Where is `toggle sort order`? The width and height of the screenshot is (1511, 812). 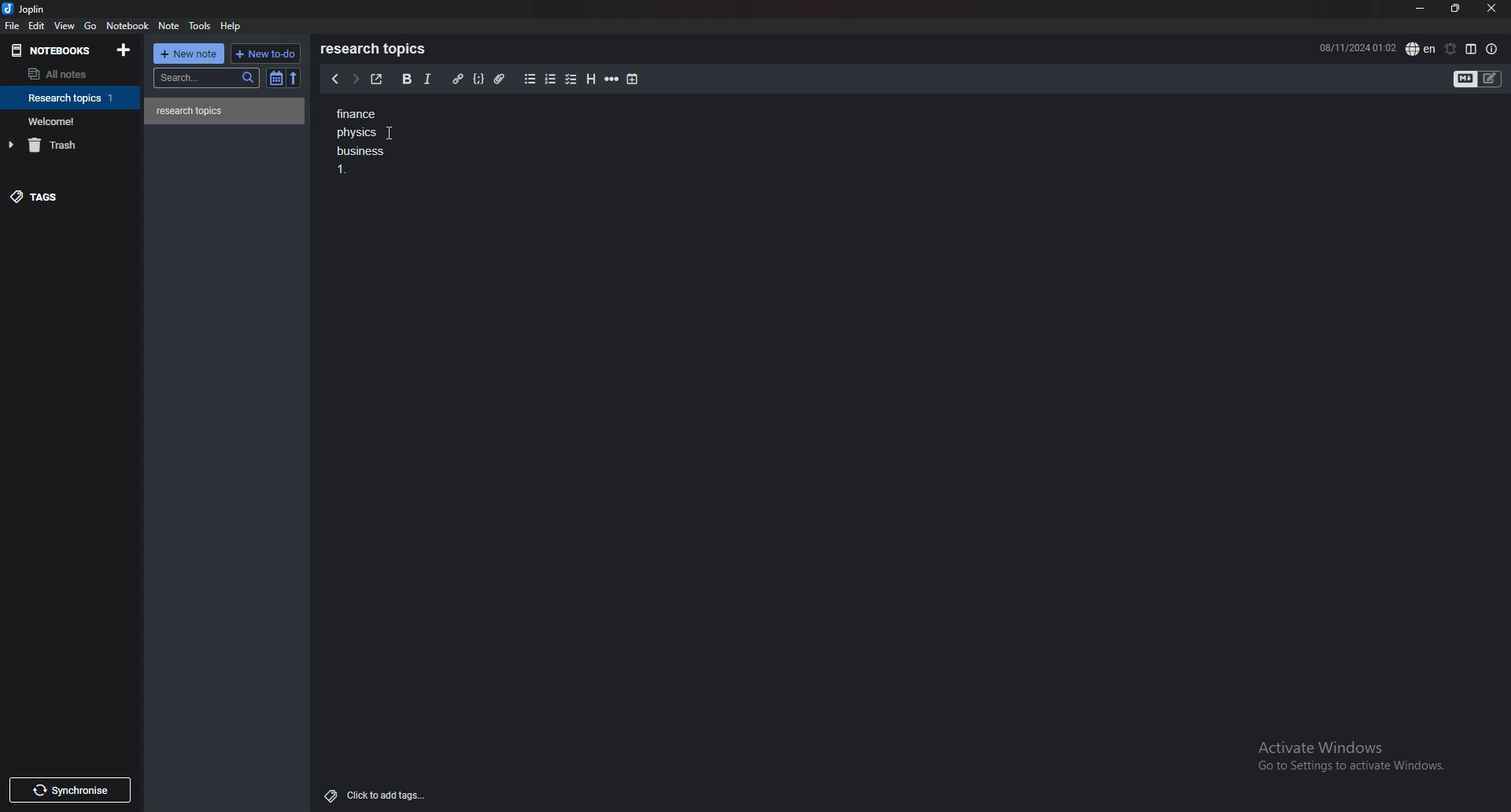
toggle sort order is located at coordinates (276, 79).